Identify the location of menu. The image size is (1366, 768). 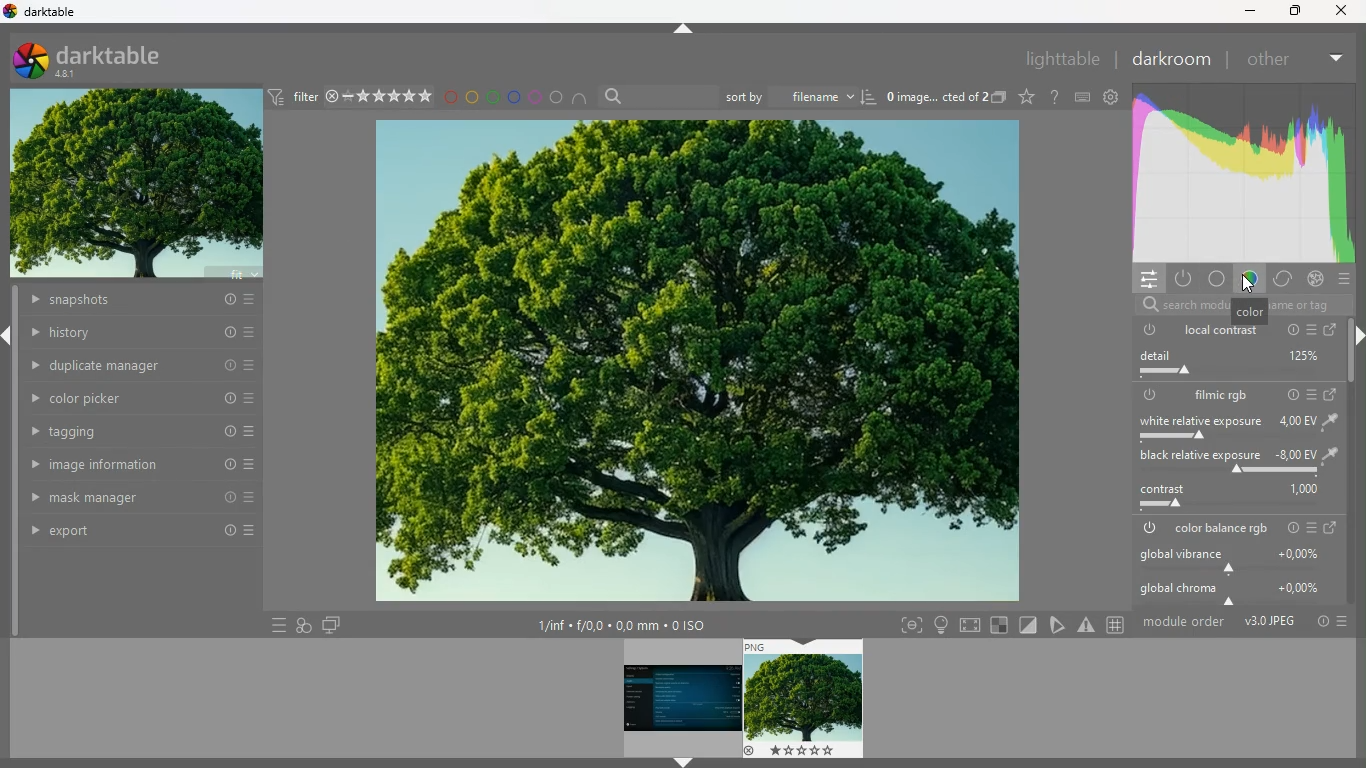
(1313, 394).